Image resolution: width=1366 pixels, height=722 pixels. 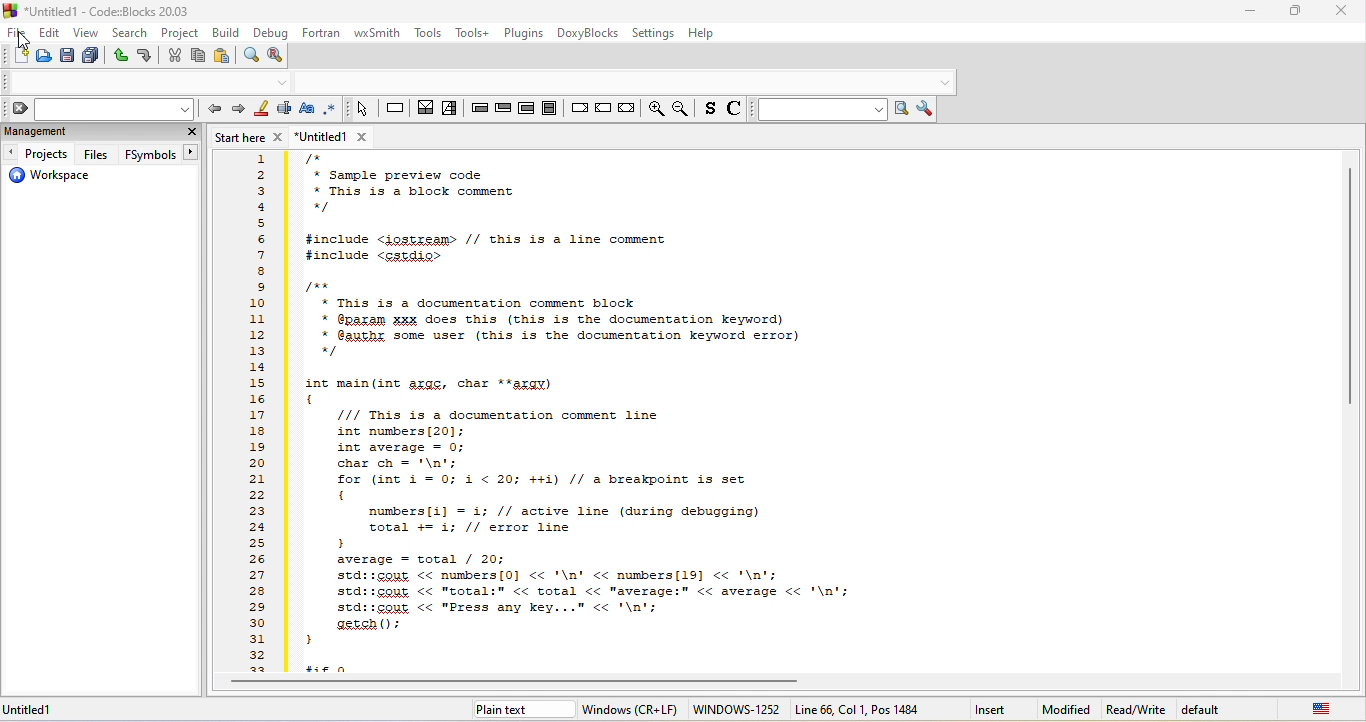 I want to click on find, so click(x=250, y=55).